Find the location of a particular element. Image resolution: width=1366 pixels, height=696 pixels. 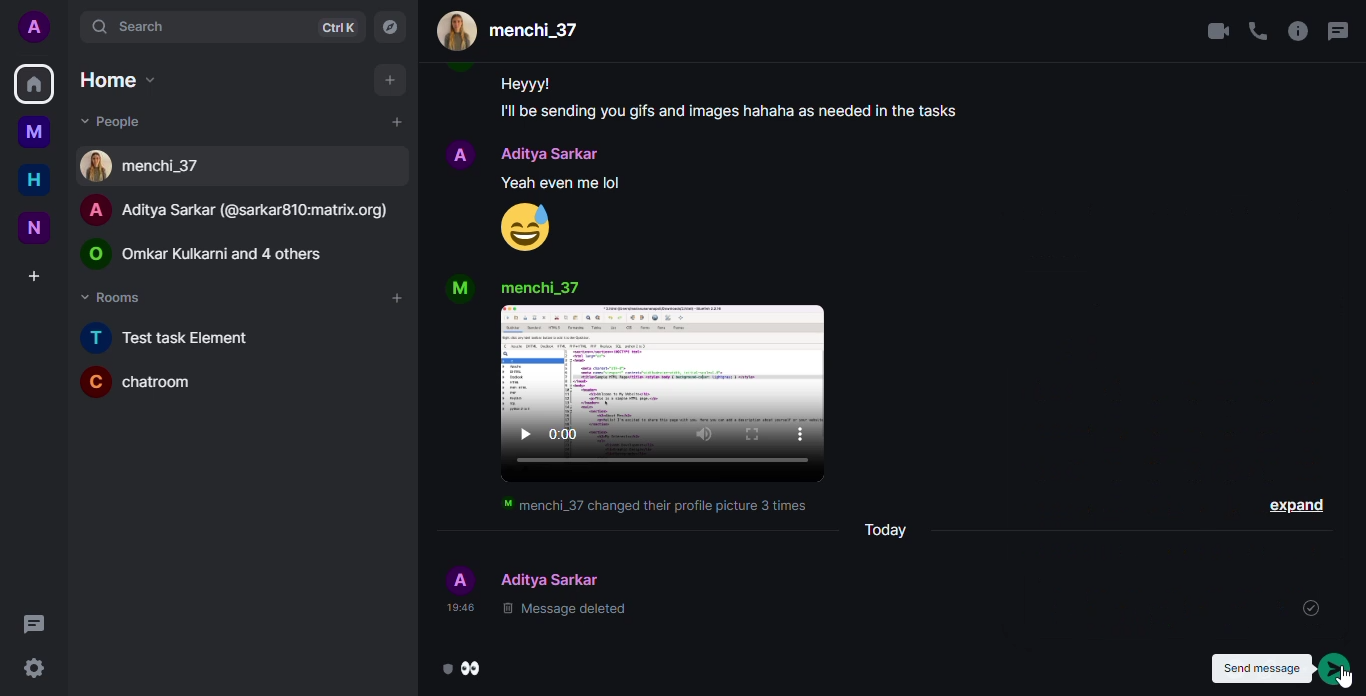

myspace is located at coordinates (37, 132).